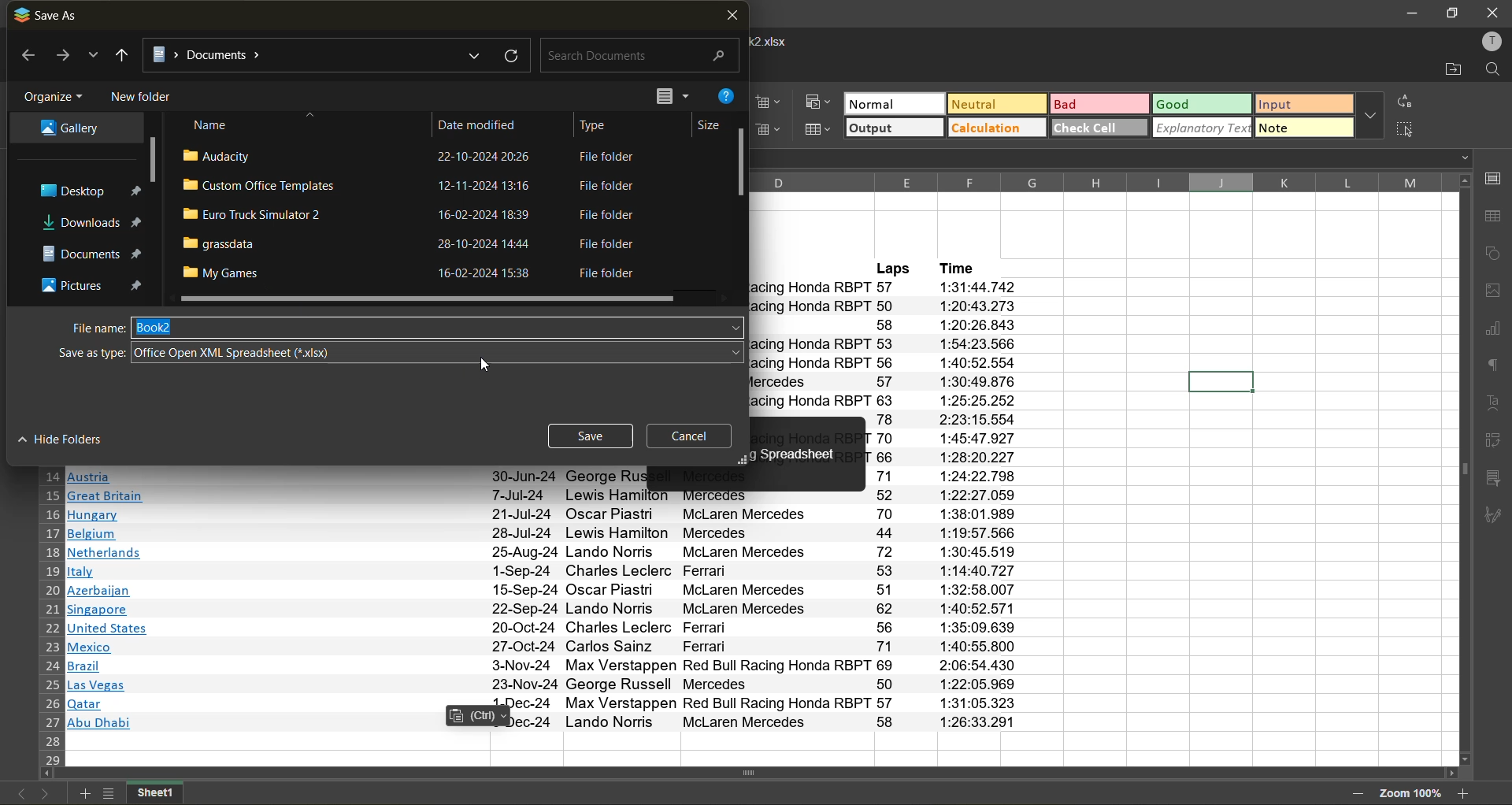  Describe the element at coordinates (776, 131) in the screenshot. I see `delete cells` at that location.